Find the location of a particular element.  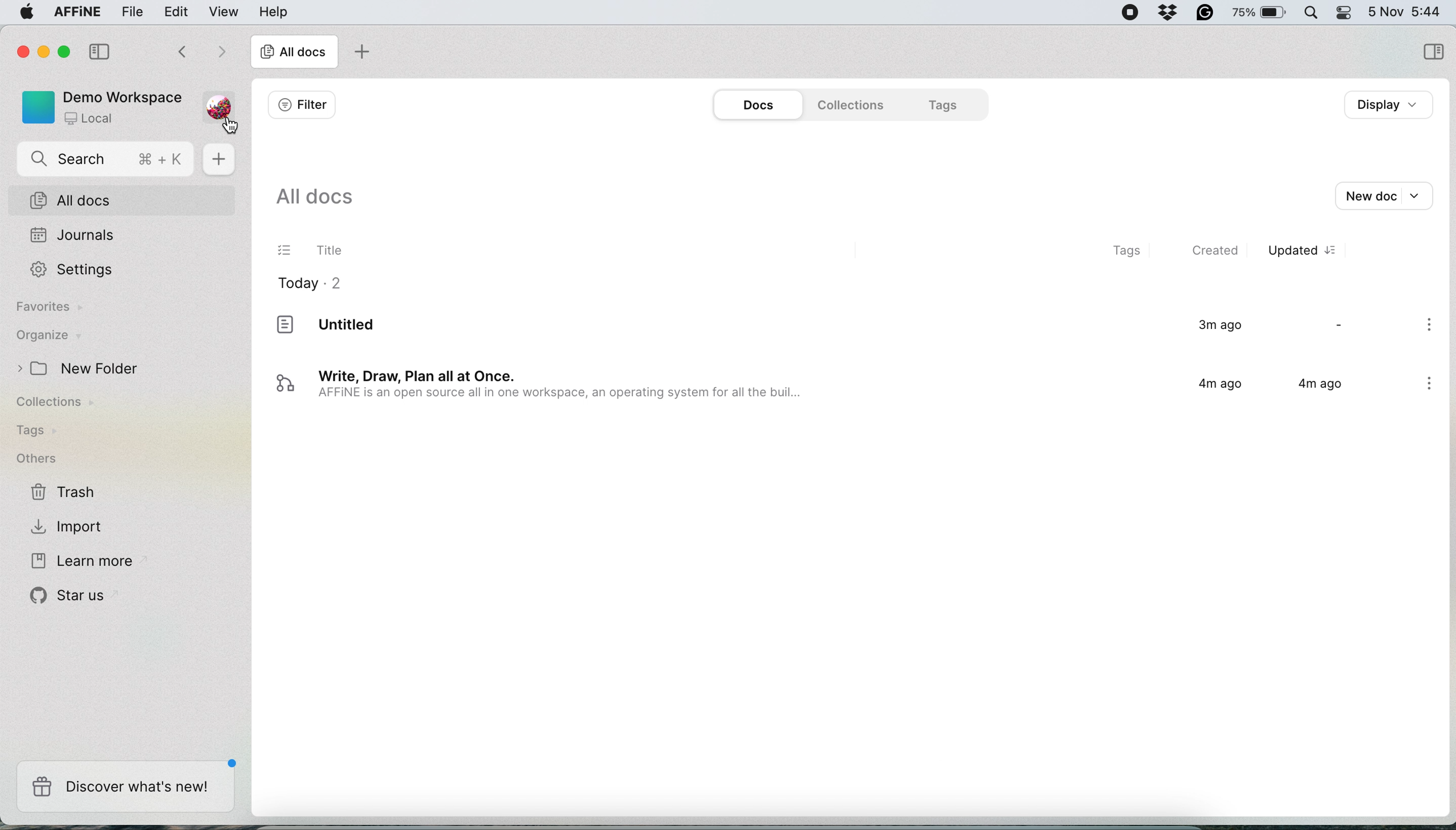

updated is located at coordinates (1310, 251).